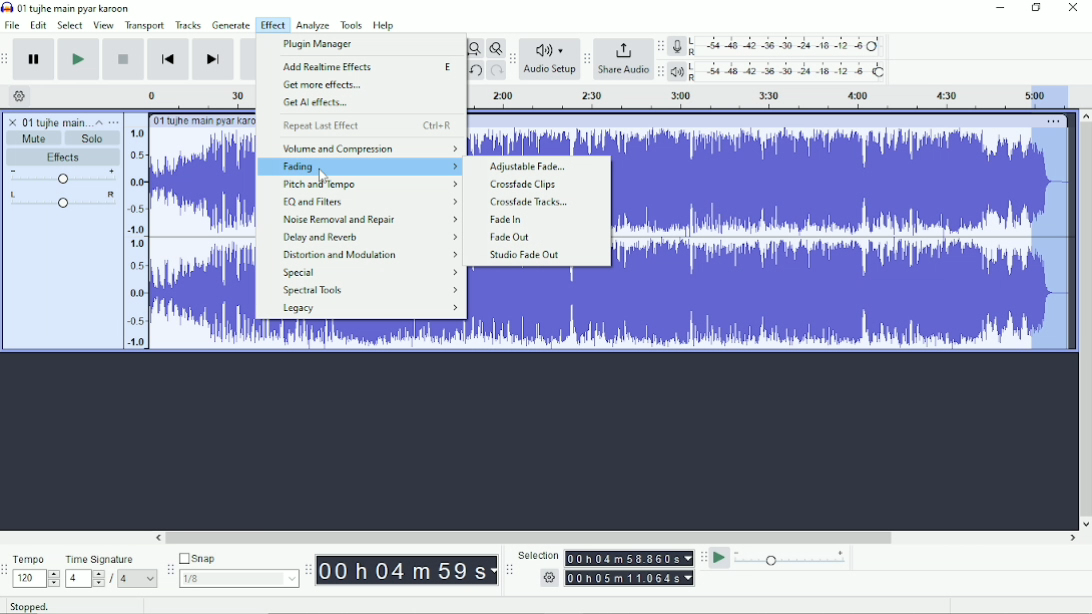 The width and height of the screenshot is (1092, 614). Describe the element at coordinates (144, 27) in the screenshot. I see `Transport` at that location.